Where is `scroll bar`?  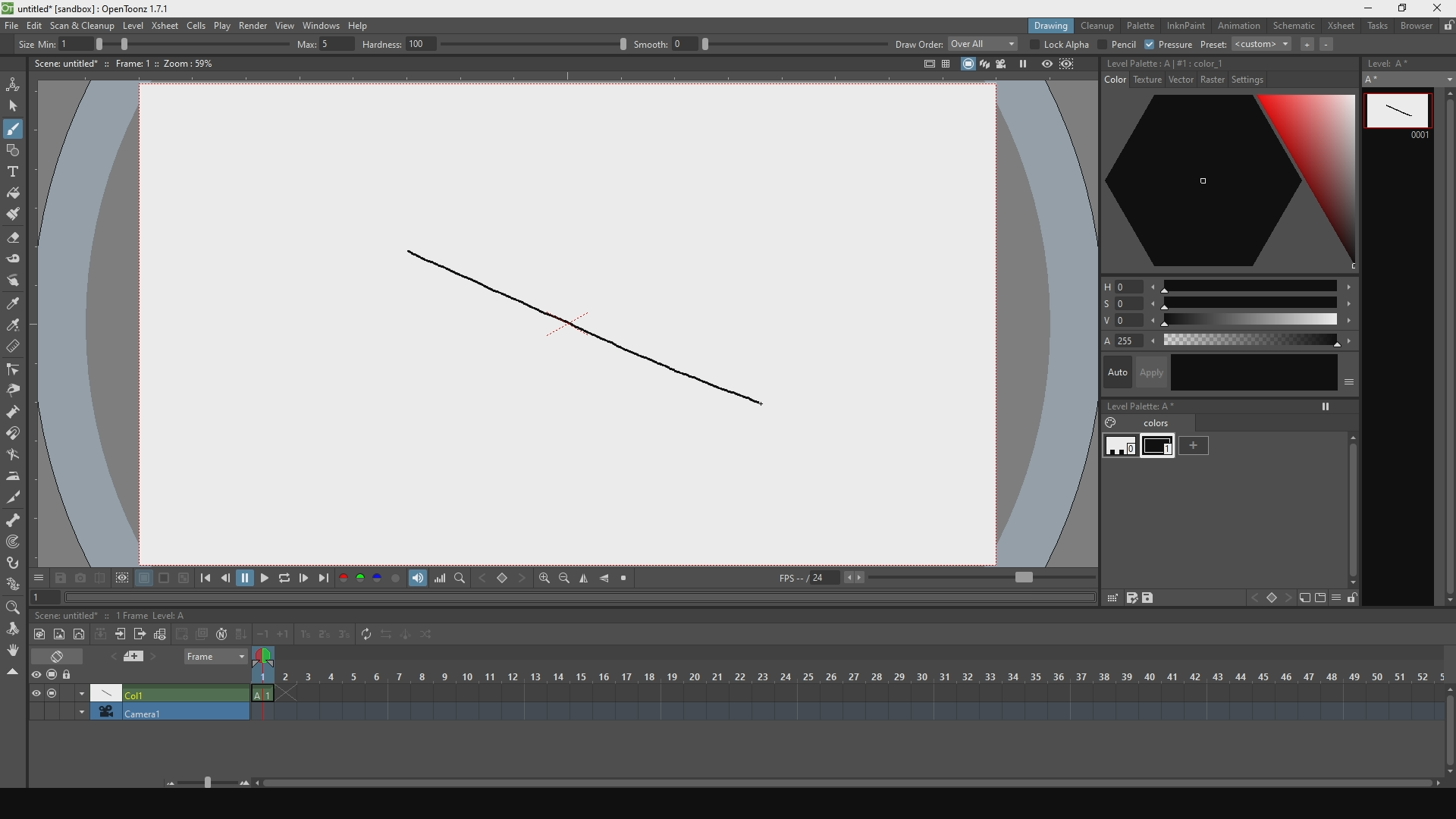
scroll bar is located at coordinates (1351, 510).